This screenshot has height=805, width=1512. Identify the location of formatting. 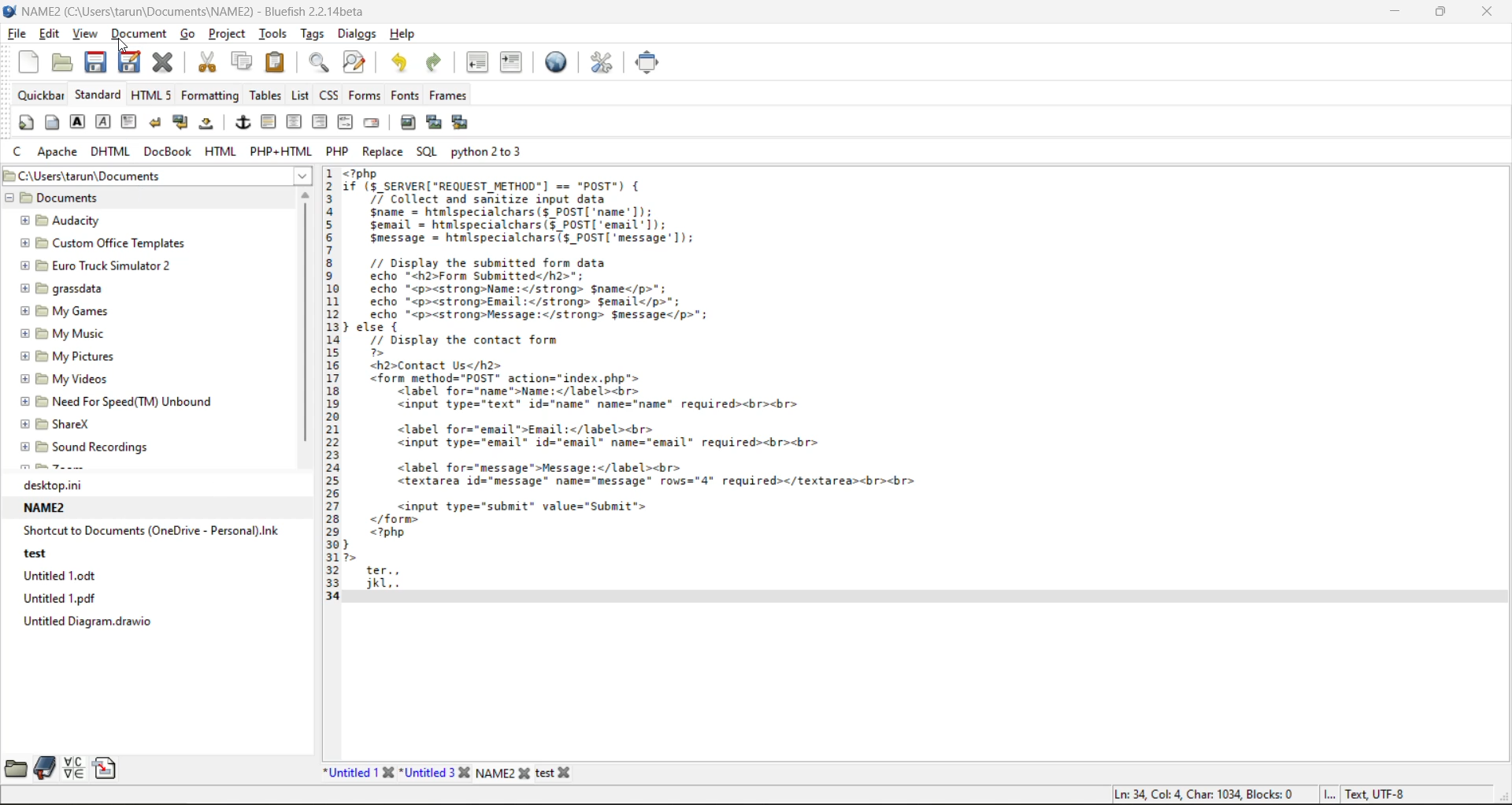
(211, 95).